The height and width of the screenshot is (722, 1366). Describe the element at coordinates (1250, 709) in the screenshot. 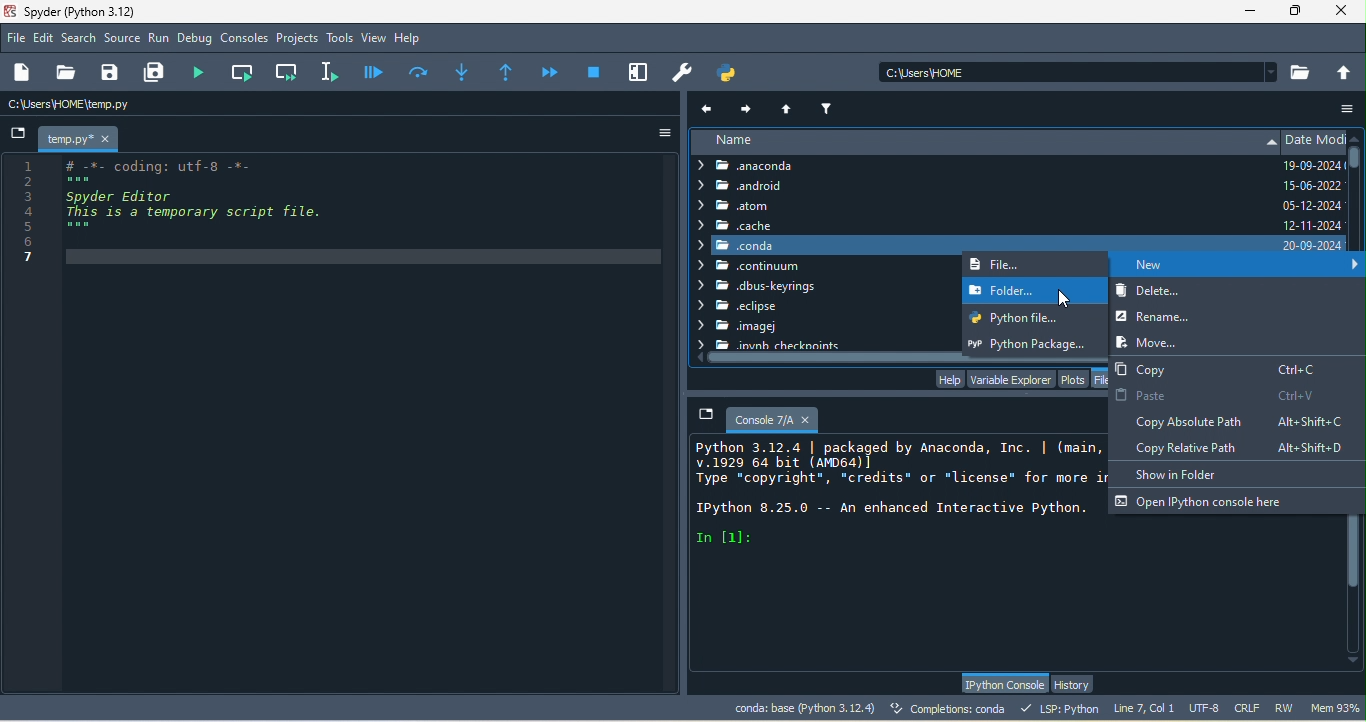

I see `crlf` at that location.